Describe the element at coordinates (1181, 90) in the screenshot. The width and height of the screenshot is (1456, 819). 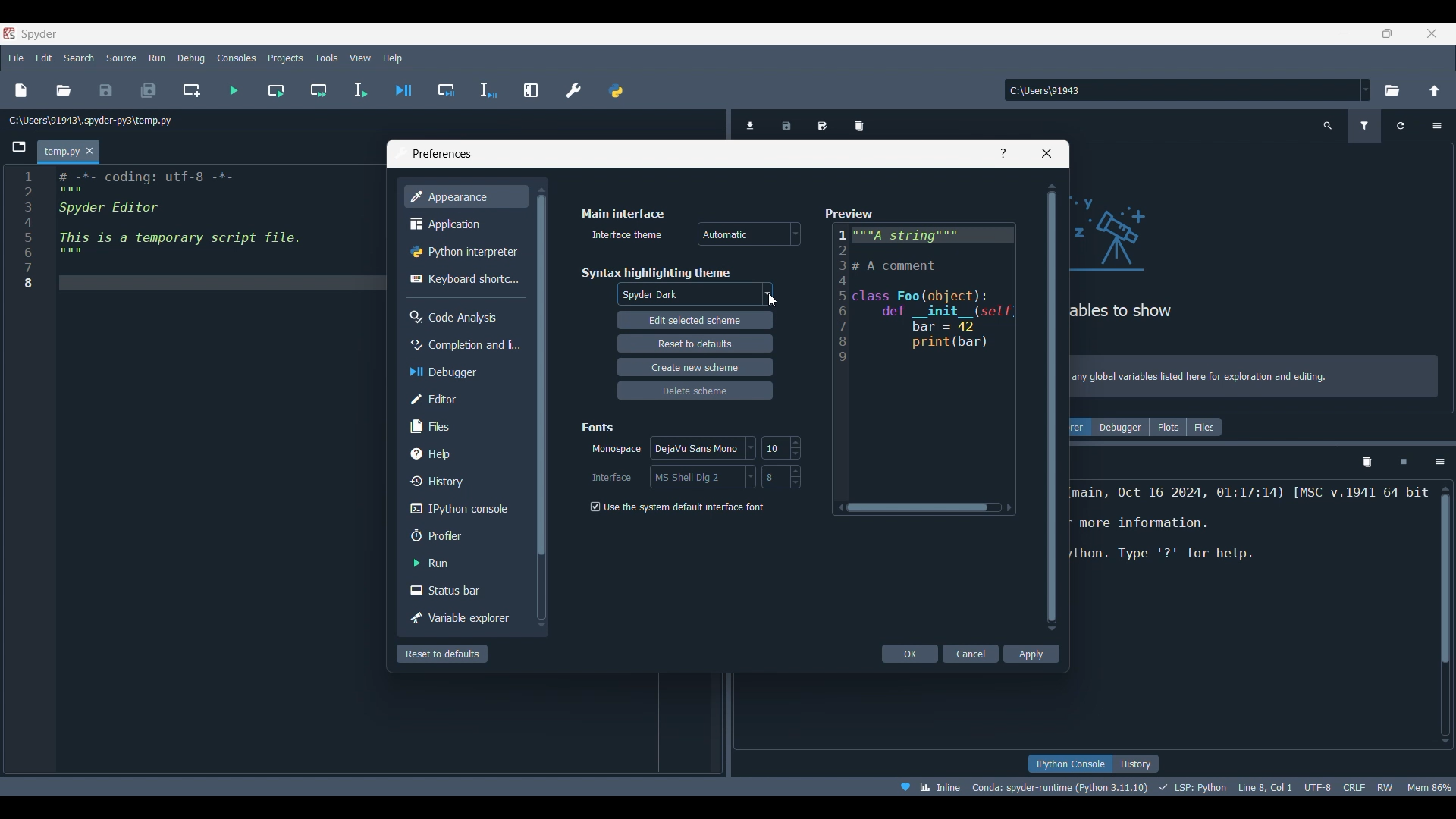
I see `Input location` at that location.